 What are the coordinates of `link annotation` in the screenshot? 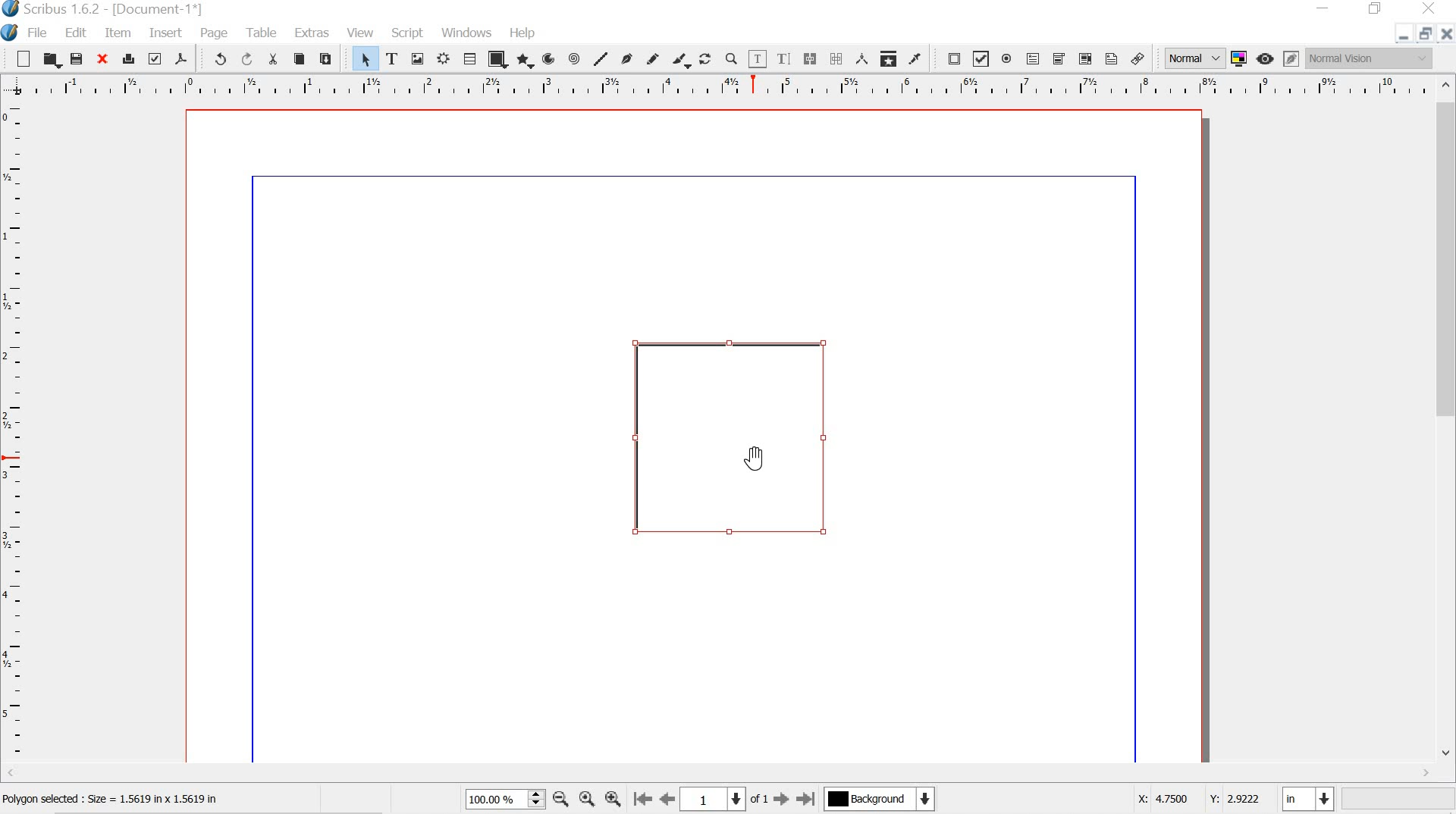 It's located at (1138, 56).